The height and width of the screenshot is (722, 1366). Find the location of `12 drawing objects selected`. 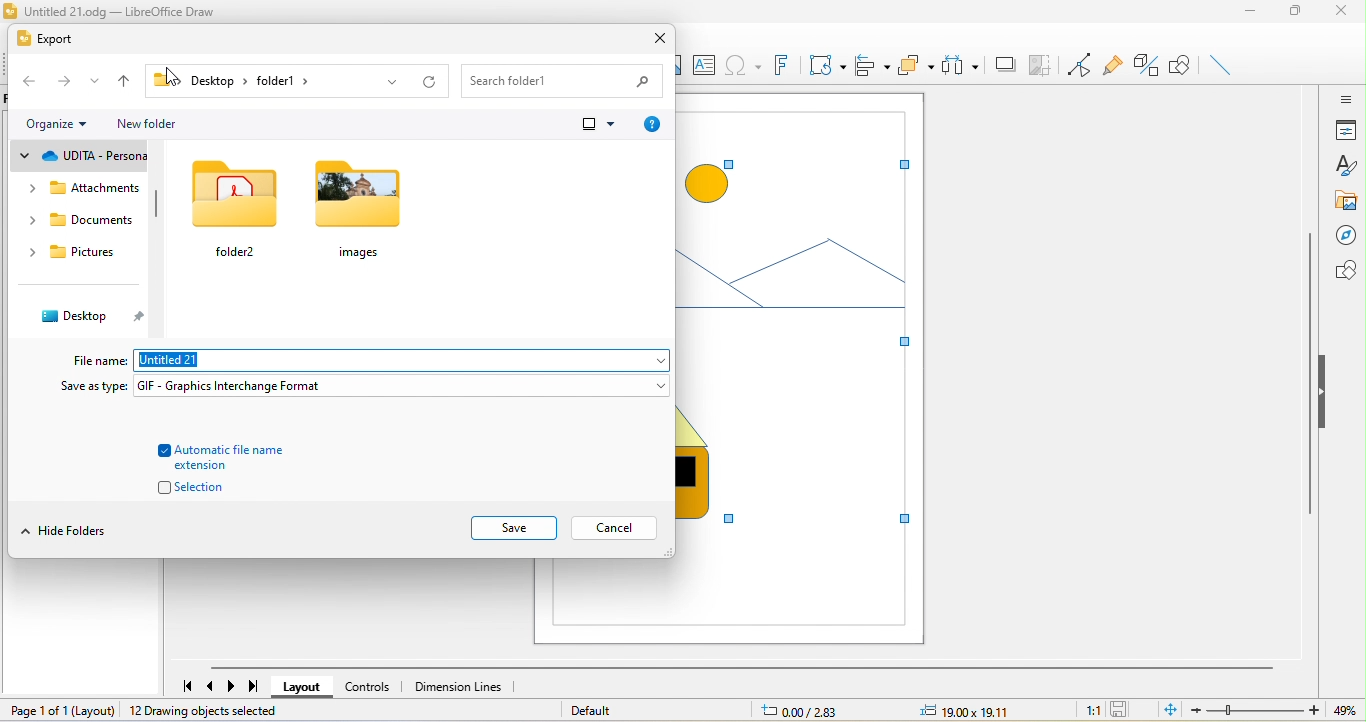

12 drawing objects selected is located at coordinates (208, 711).